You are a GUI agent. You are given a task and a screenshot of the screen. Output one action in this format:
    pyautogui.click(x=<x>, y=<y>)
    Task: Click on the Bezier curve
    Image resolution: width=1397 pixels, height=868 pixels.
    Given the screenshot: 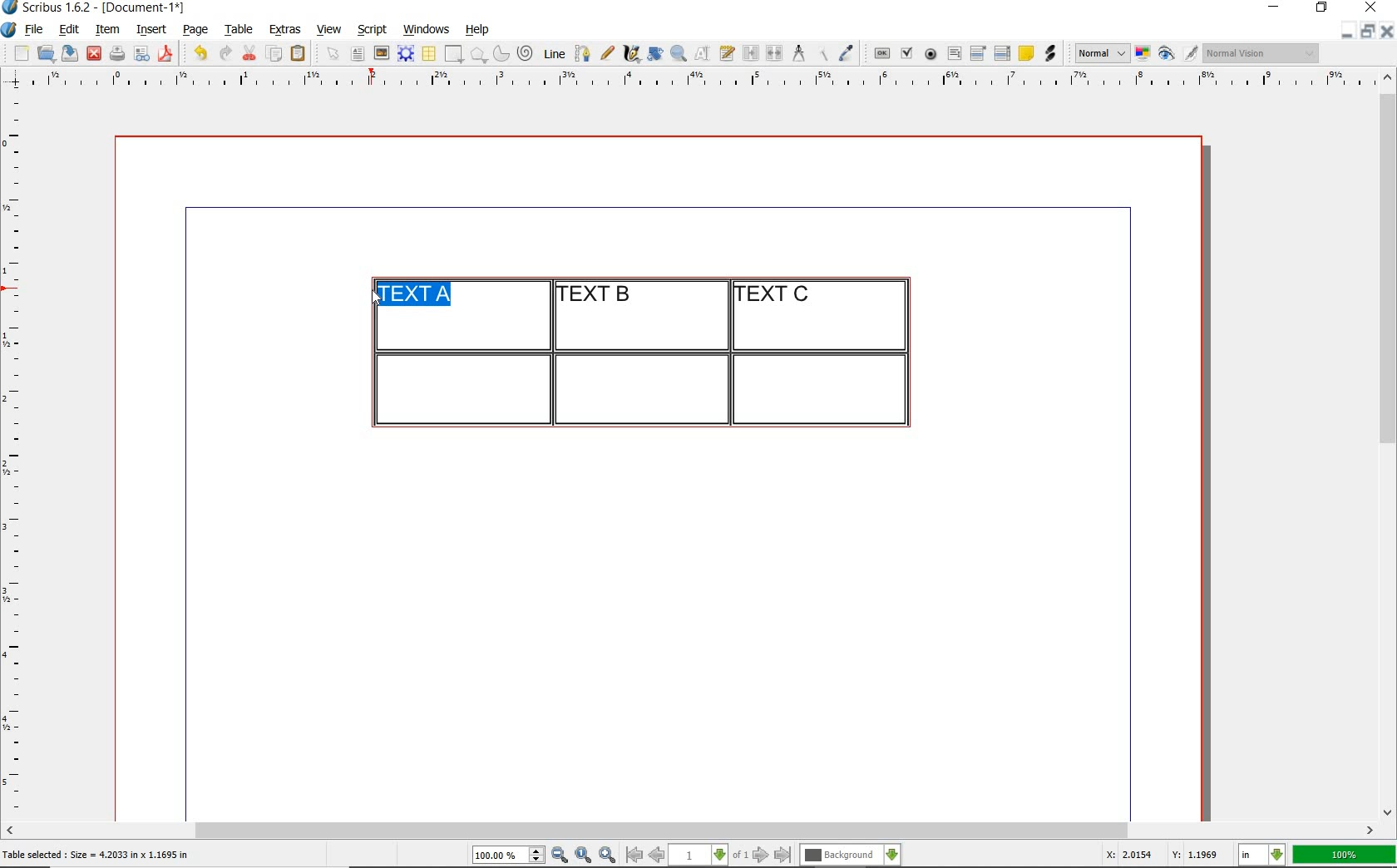 What is the action you would take?
    pyautogui.click(x=581, y=53)
    